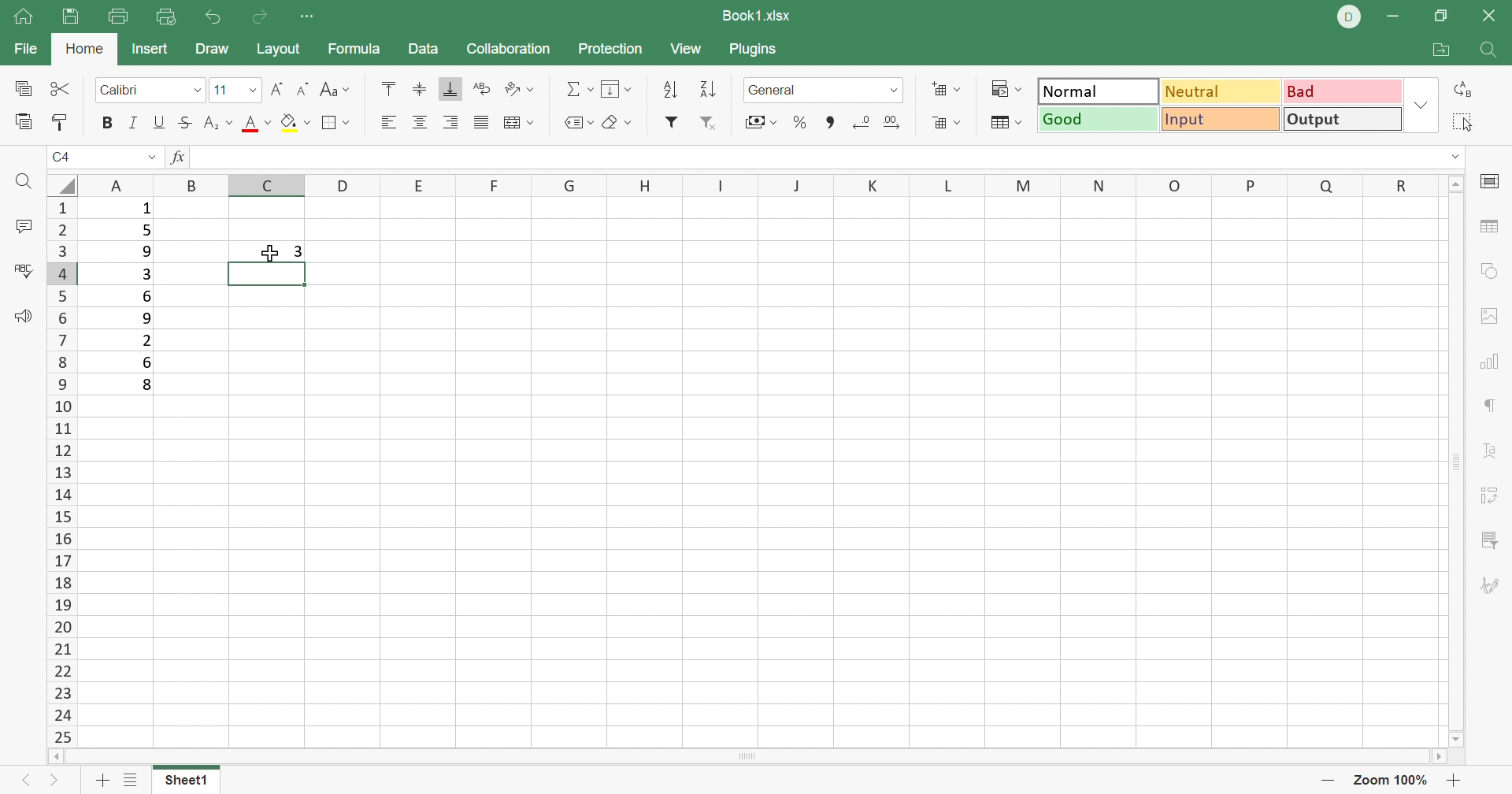  I want to click on Align bottom, so click(454, 89).